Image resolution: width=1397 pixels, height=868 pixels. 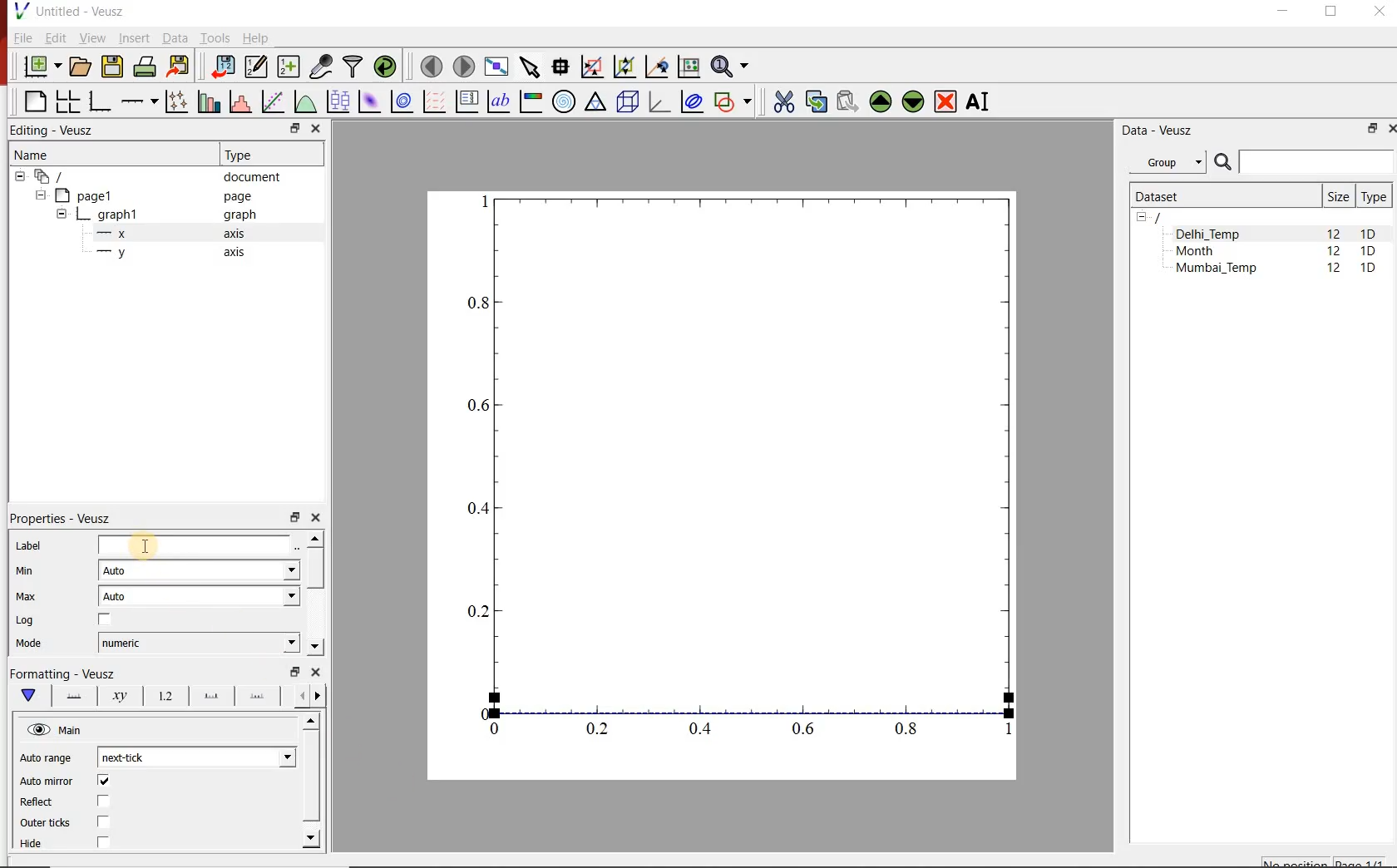 What do you see at coordinates (310, 698) in the screenshot?
I see `Grid lines` at bounding box center [310, 698].